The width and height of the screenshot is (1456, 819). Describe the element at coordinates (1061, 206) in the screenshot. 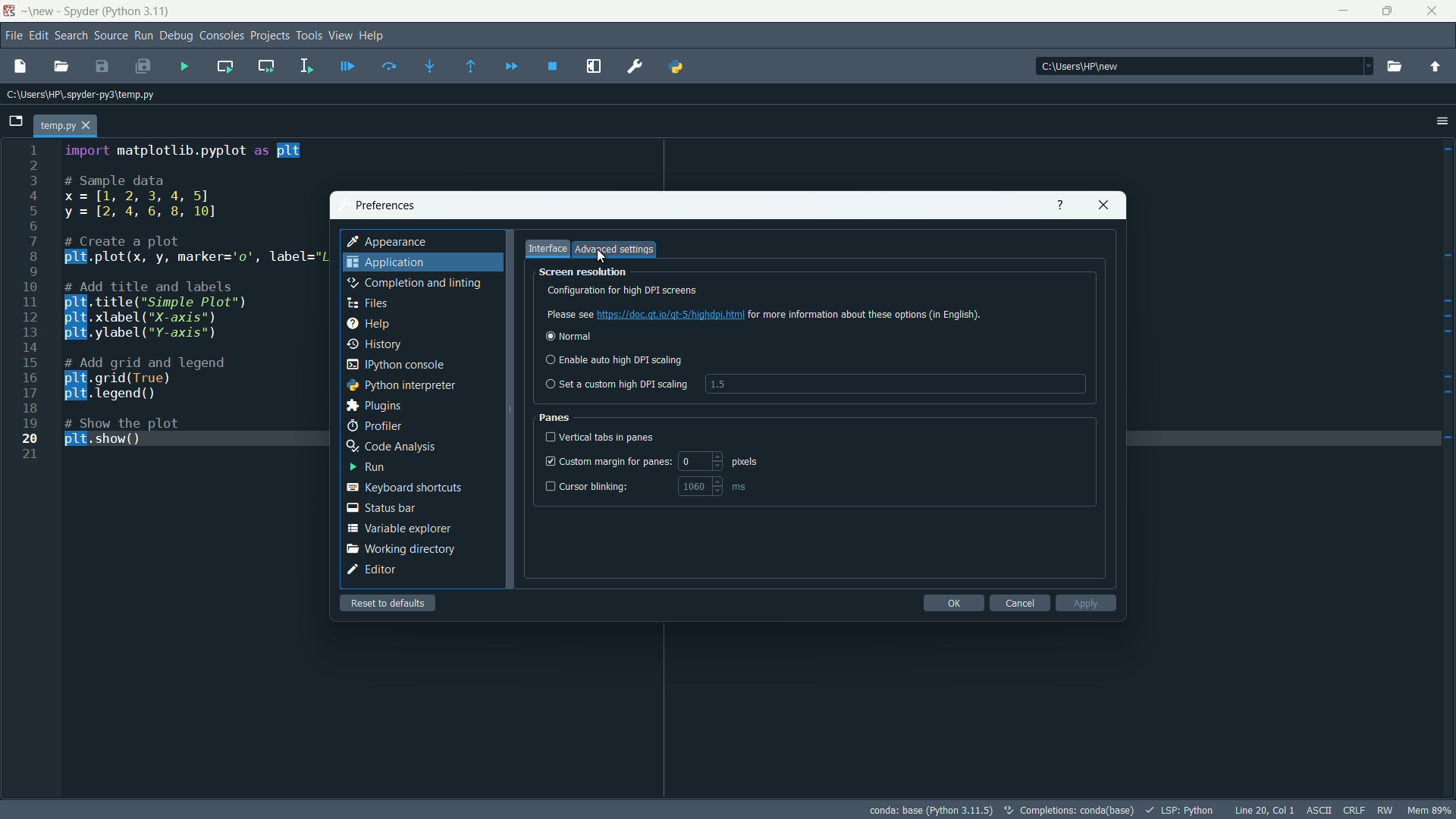

I see `get help` at that location.